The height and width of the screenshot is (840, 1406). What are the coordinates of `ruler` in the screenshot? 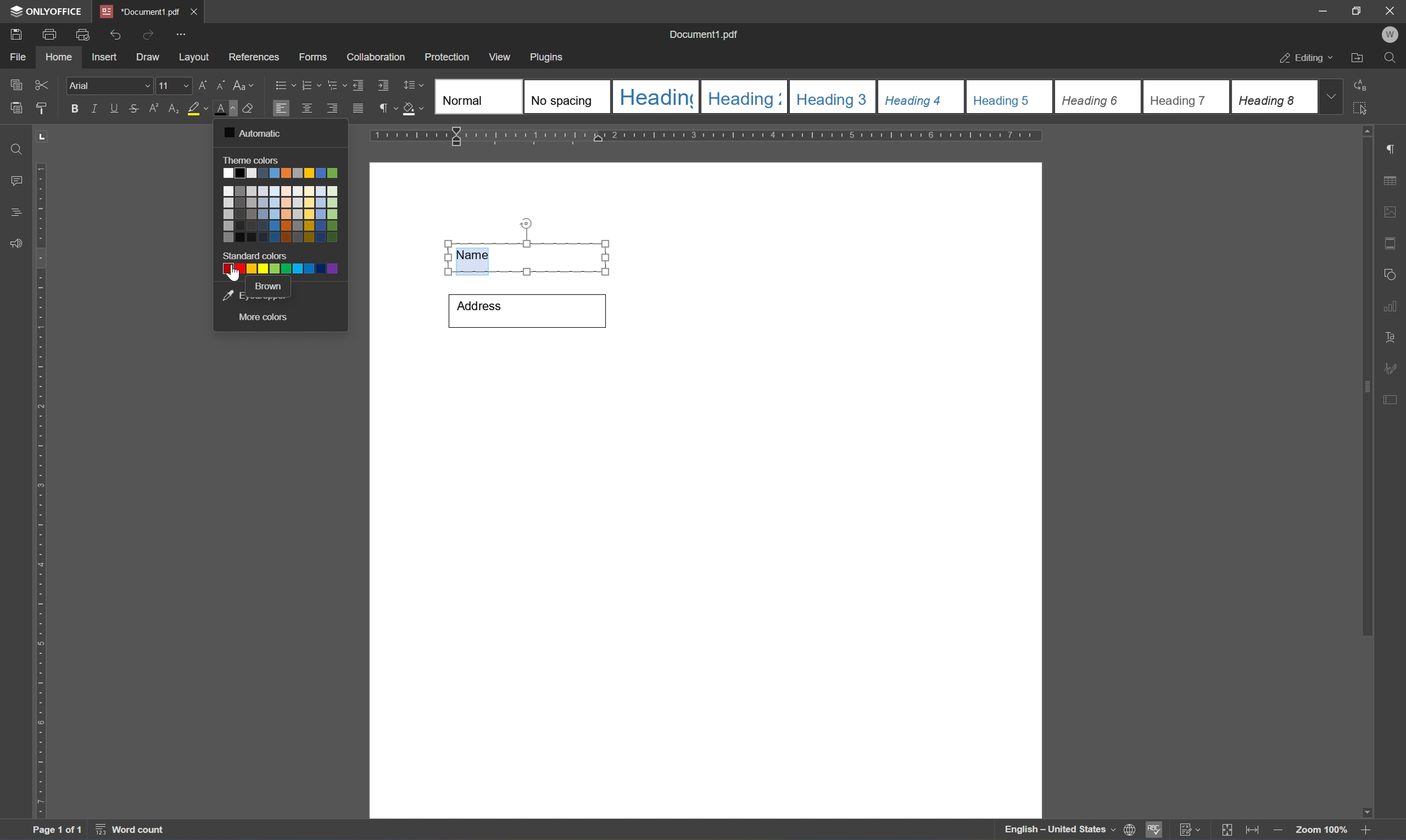 It's located at (708, 136).